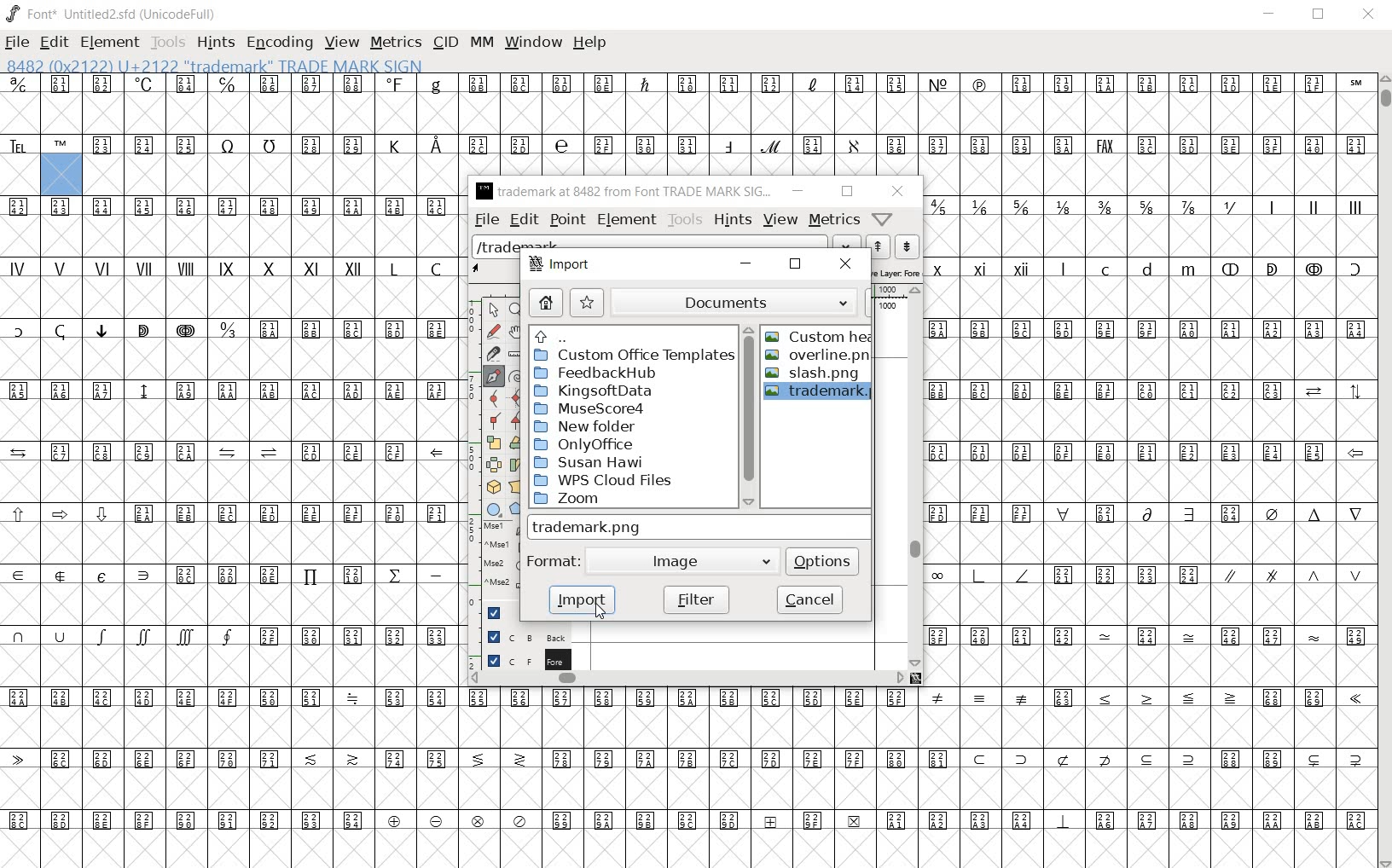  Describe the element at coordinates (214, 42) in the screenshot. I see `HINTS` at that location.